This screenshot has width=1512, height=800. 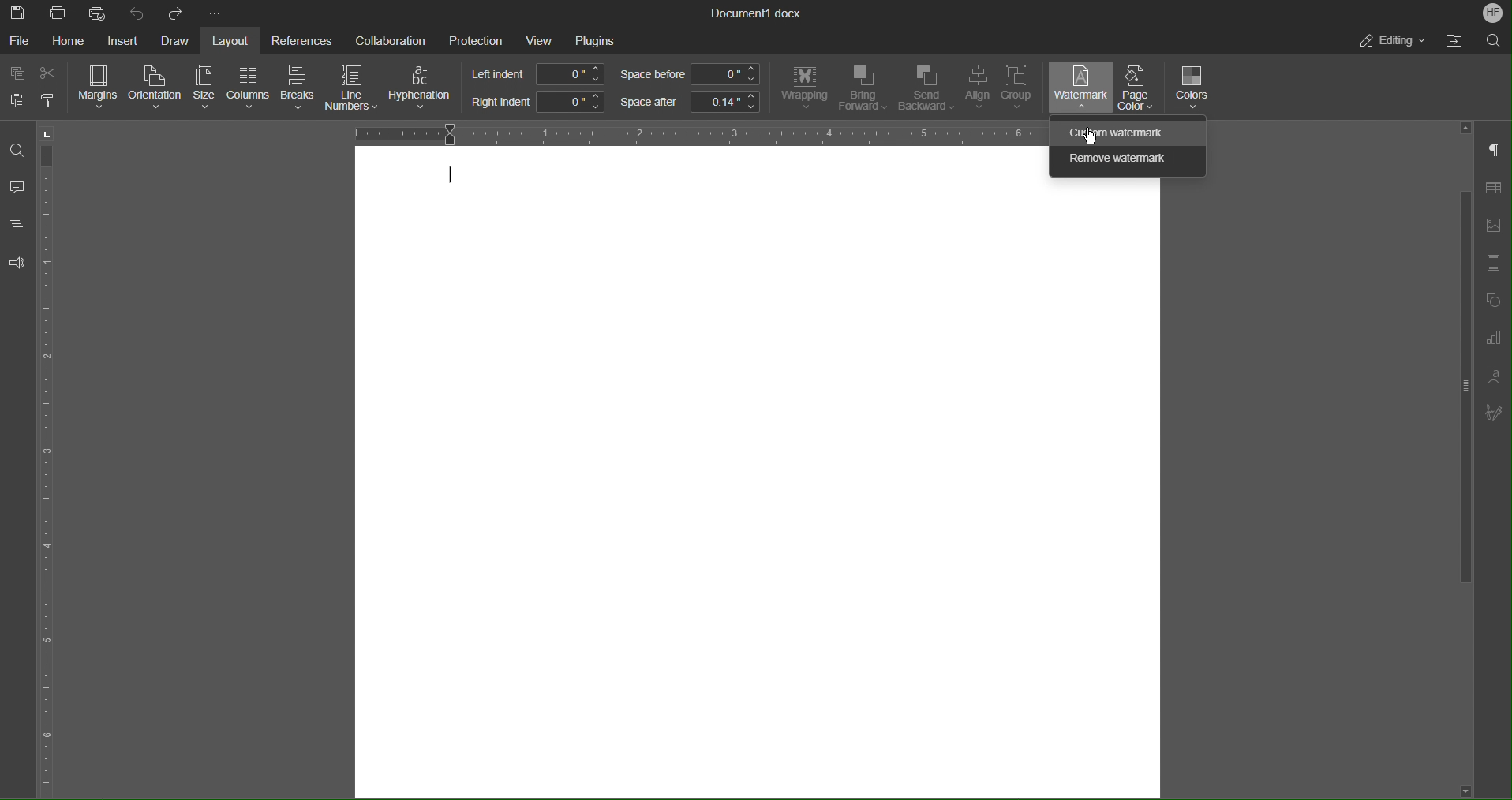 What do you see at coordinates (16, 225) in the screenshot?
I see `Headings` at bounding box center [16, 225].